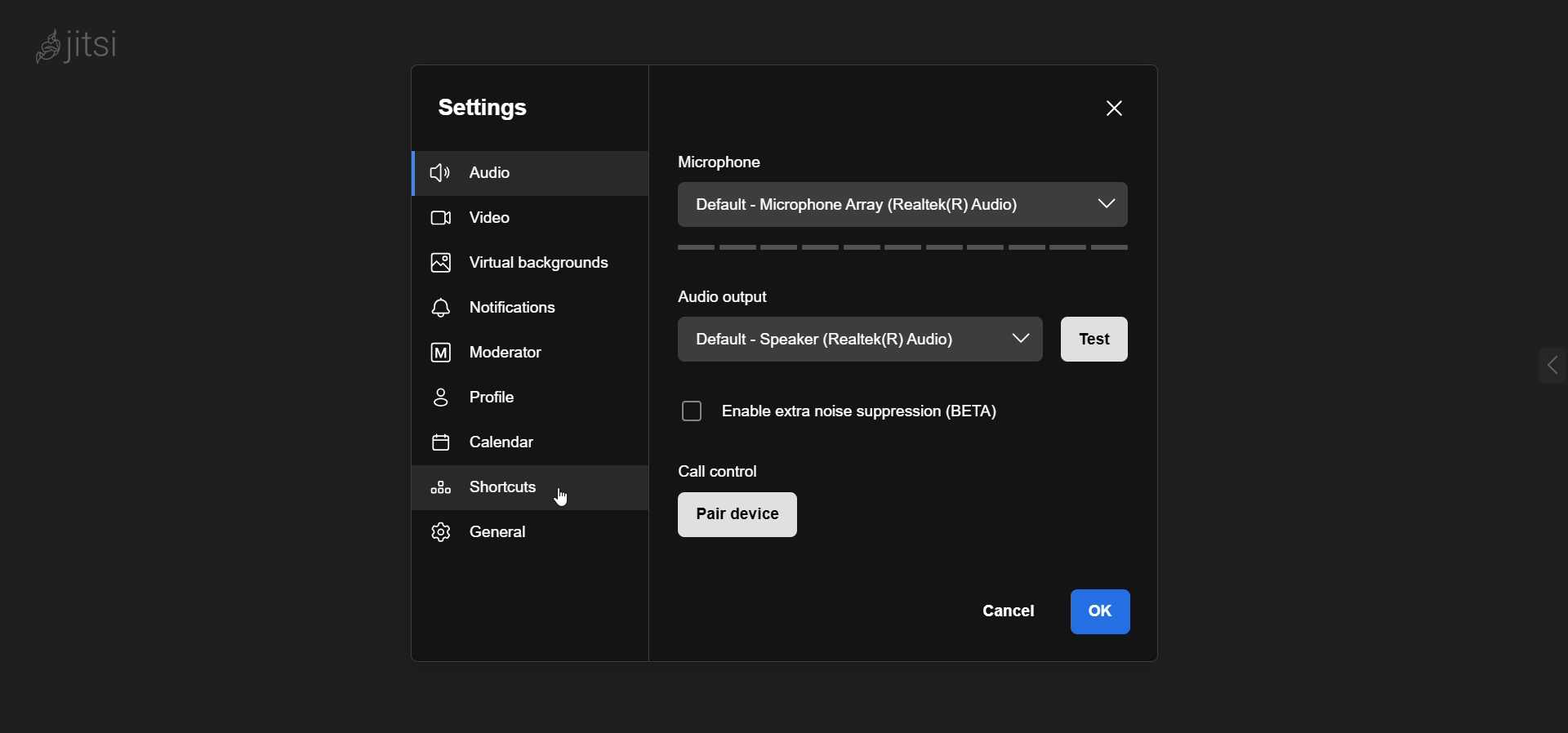 The width and height of the screenshot is (1568, 733). Describe the element at coordinates (833, 340) in the screenshot. I see `Default - Speaker (Realtek(R) Audio)` at that location.